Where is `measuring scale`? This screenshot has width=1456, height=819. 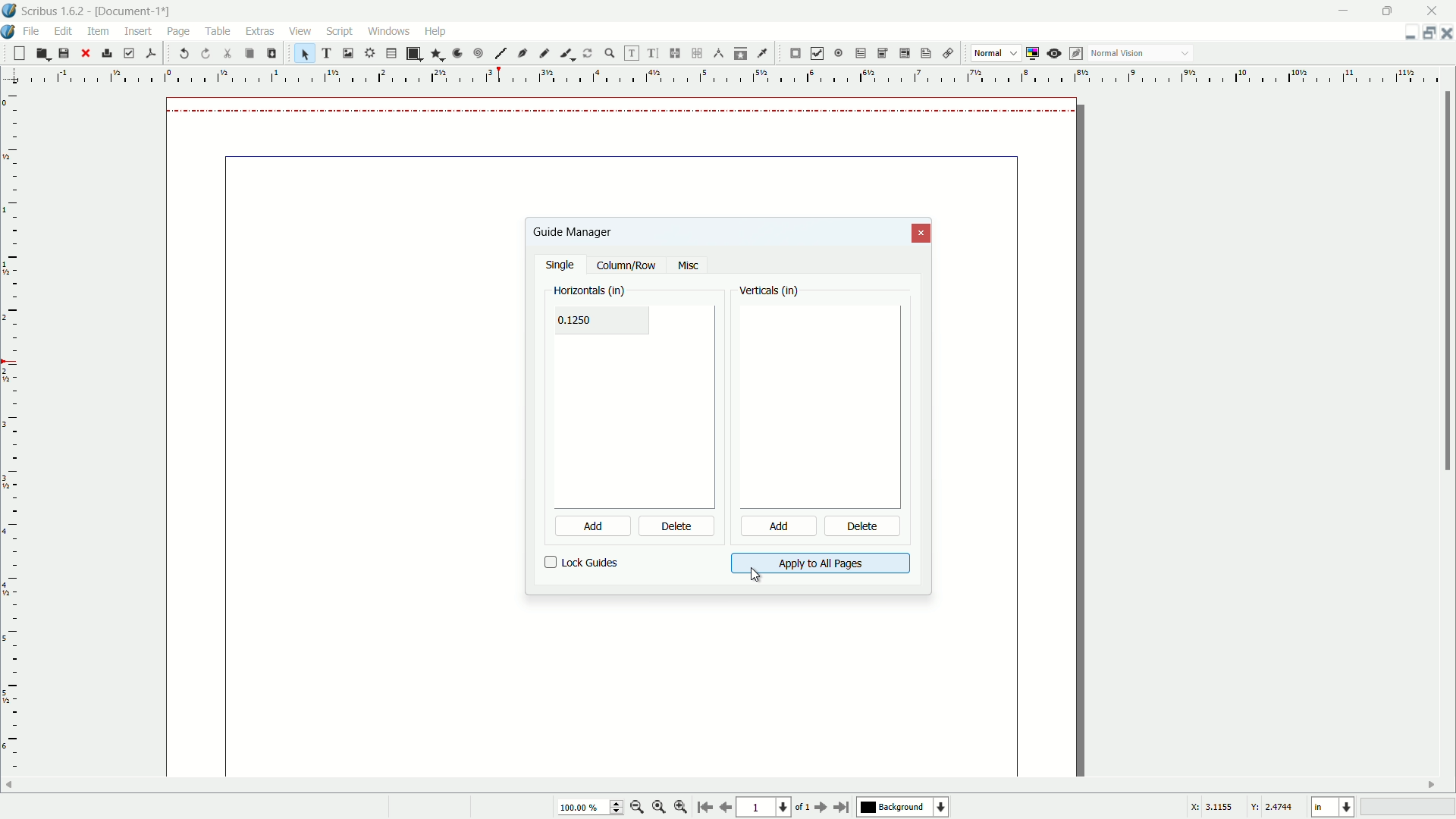 measuring scale is located at coordinates (11, 445).